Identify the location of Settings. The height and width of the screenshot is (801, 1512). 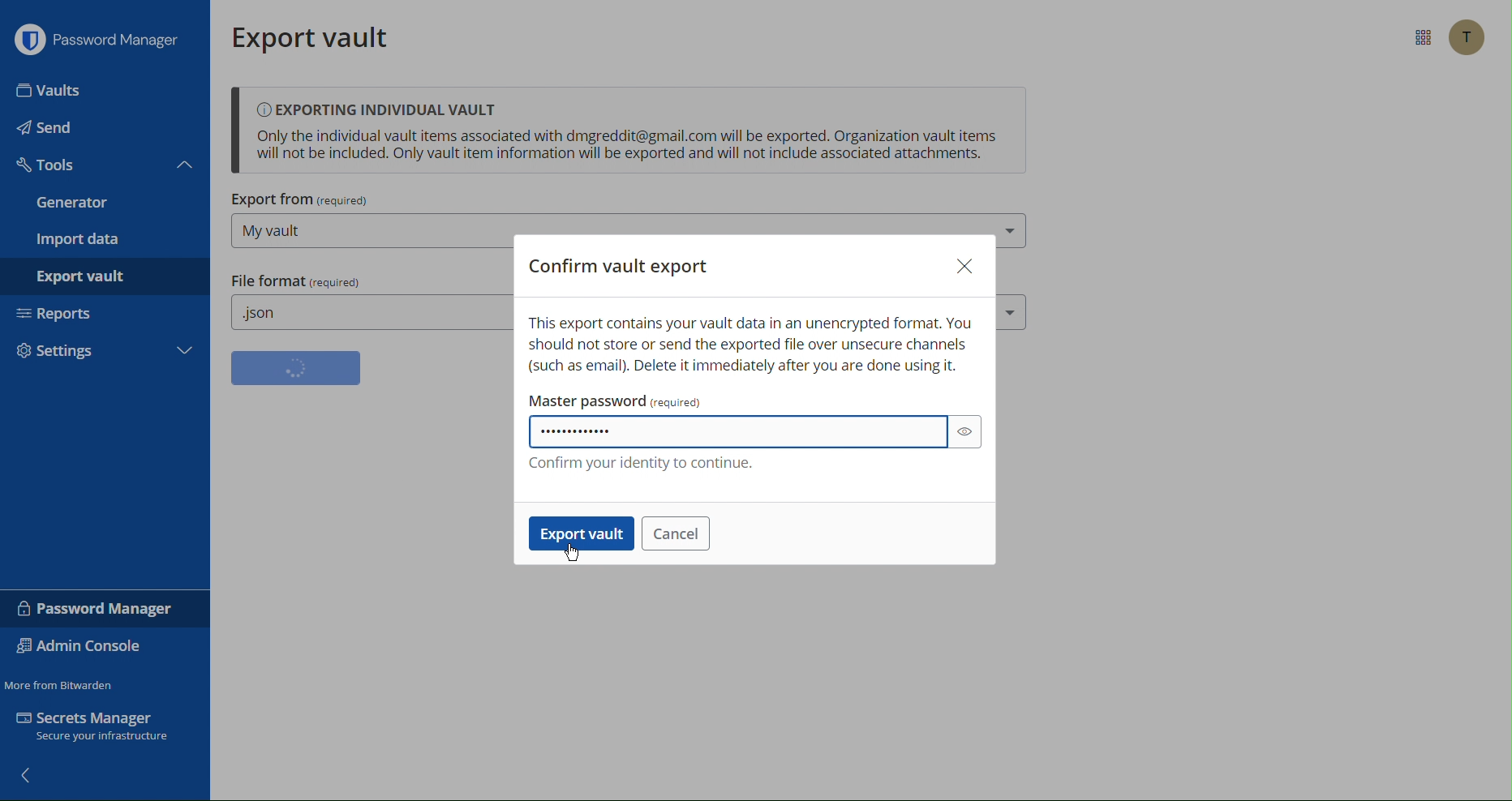
(76, 348).